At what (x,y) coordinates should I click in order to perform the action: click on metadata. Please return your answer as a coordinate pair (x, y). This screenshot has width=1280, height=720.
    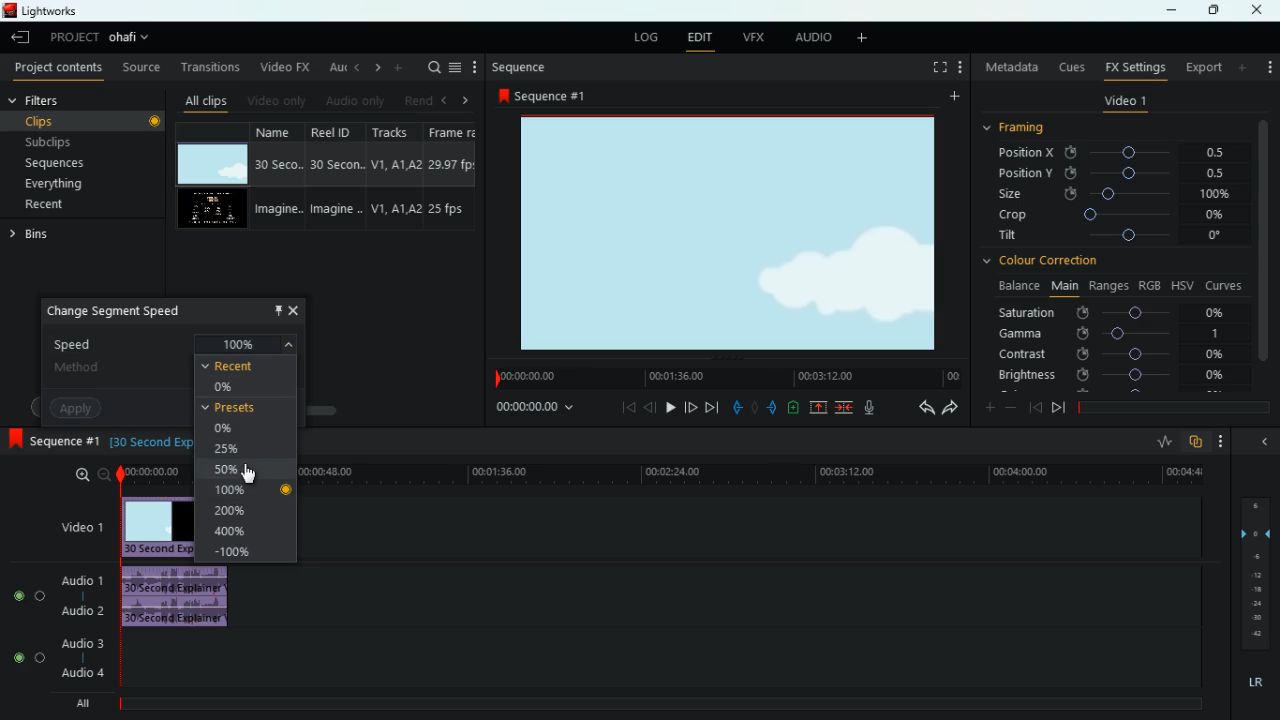
    Looking at the image, I should click on (1009, 69).